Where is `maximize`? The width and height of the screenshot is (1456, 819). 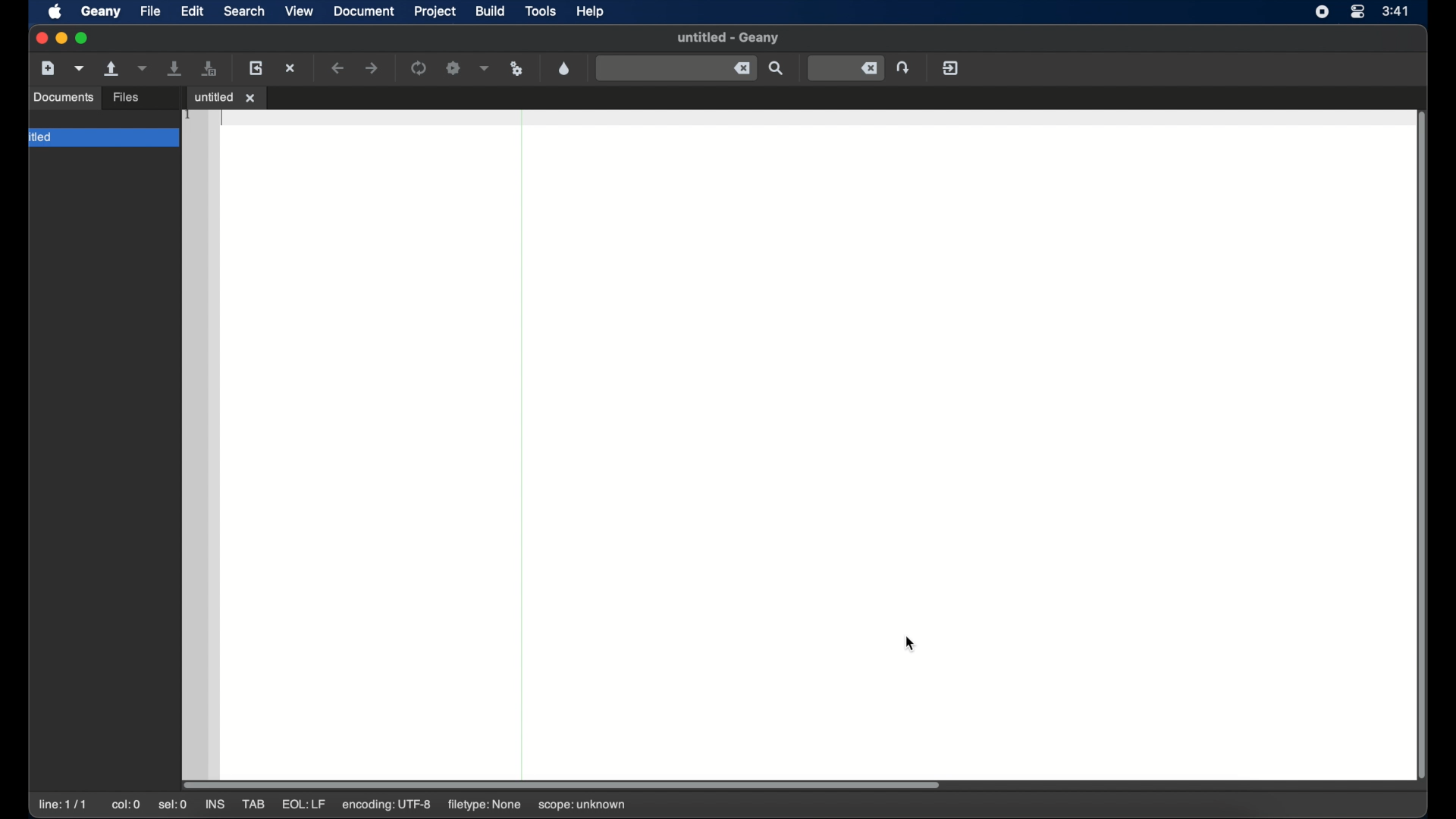
maximize is located at coordinates (82, 38).